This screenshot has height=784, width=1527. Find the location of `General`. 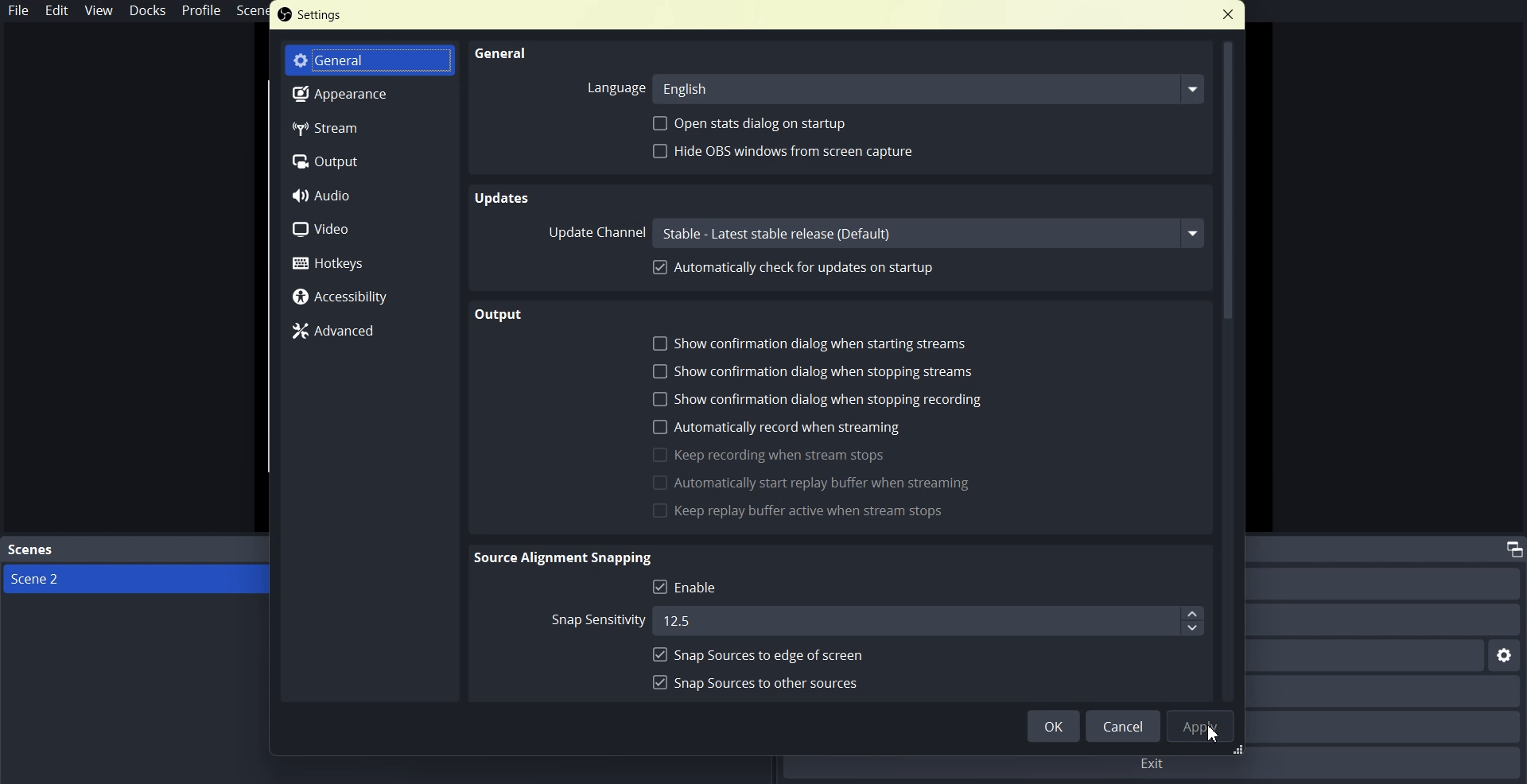

General is located at coordinates (503, 52).